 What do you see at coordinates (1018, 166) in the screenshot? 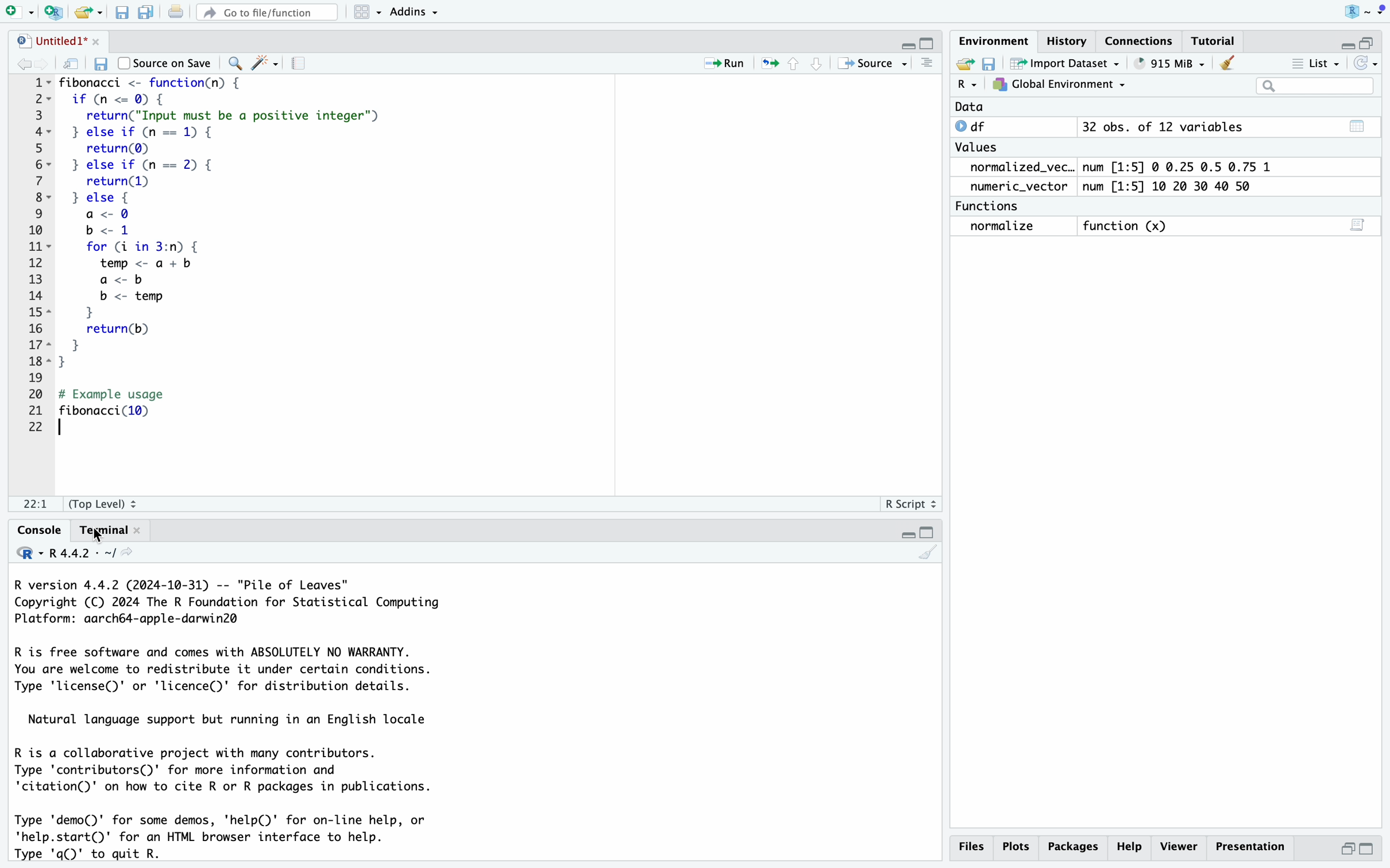
I see `normalized_vec..` at bounding box center [1018, 166].